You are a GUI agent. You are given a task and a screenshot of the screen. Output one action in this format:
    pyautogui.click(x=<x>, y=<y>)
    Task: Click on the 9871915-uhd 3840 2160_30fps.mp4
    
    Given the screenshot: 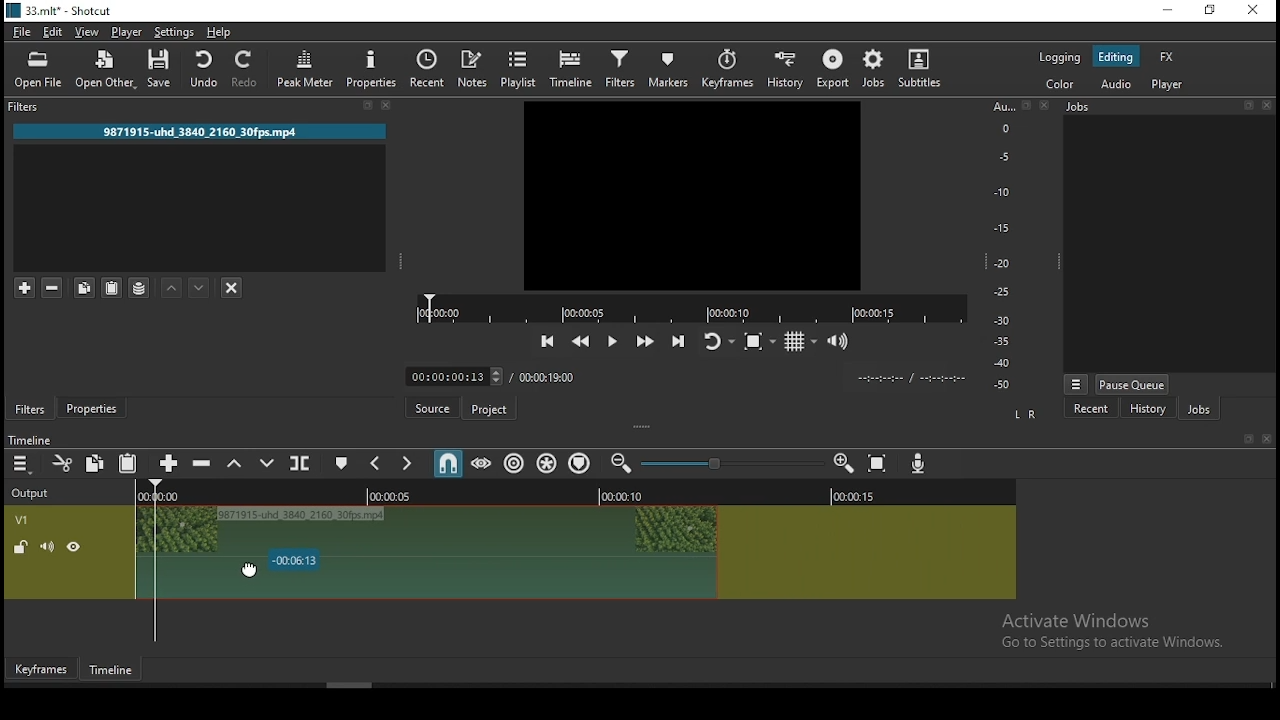 What is the action you would take?
    pyautogui.click(x=202, y=131)
    